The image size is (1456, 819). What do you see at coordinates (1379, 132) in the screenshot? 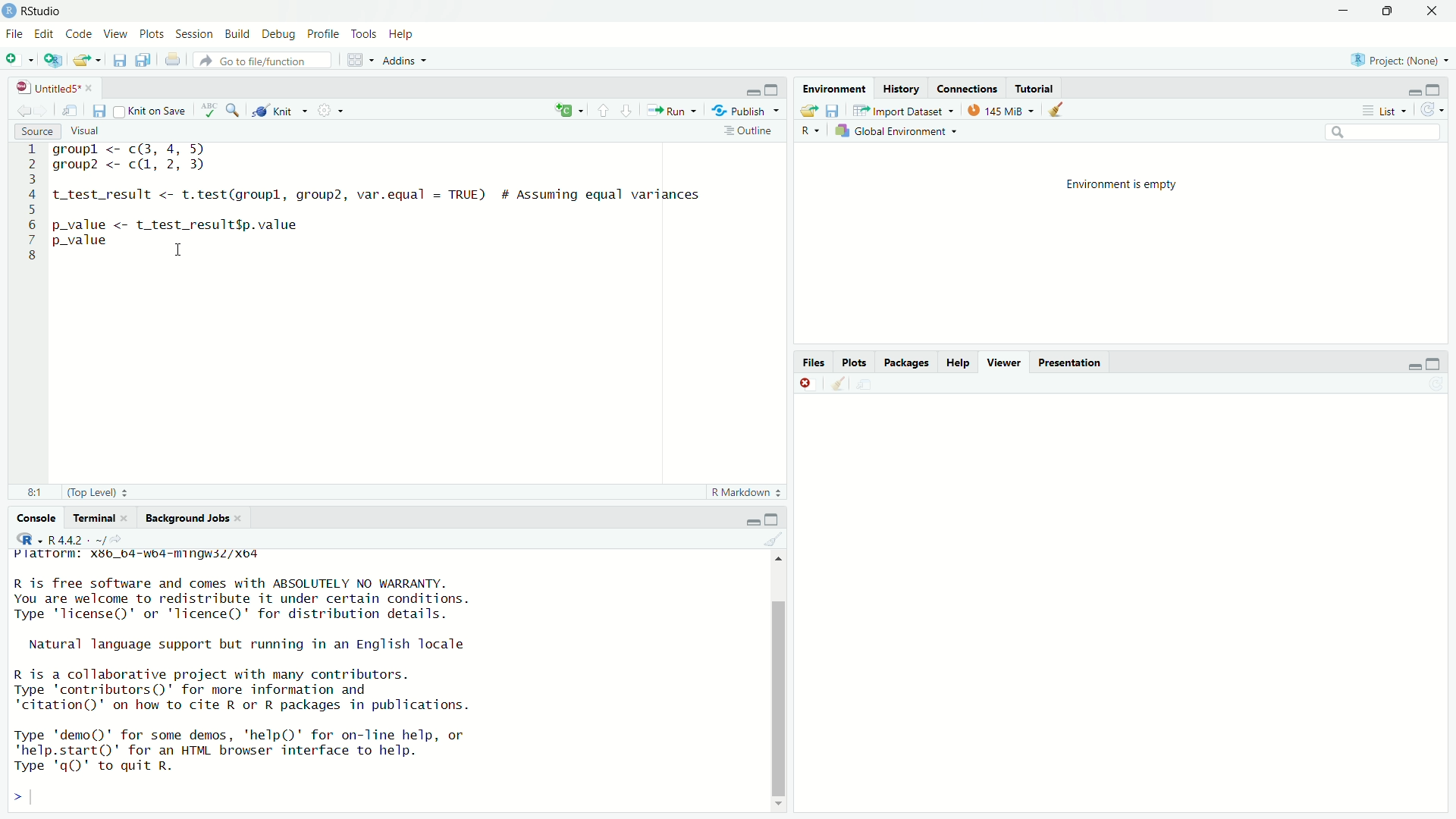
I see `search` at bounding box center [1379, 132].